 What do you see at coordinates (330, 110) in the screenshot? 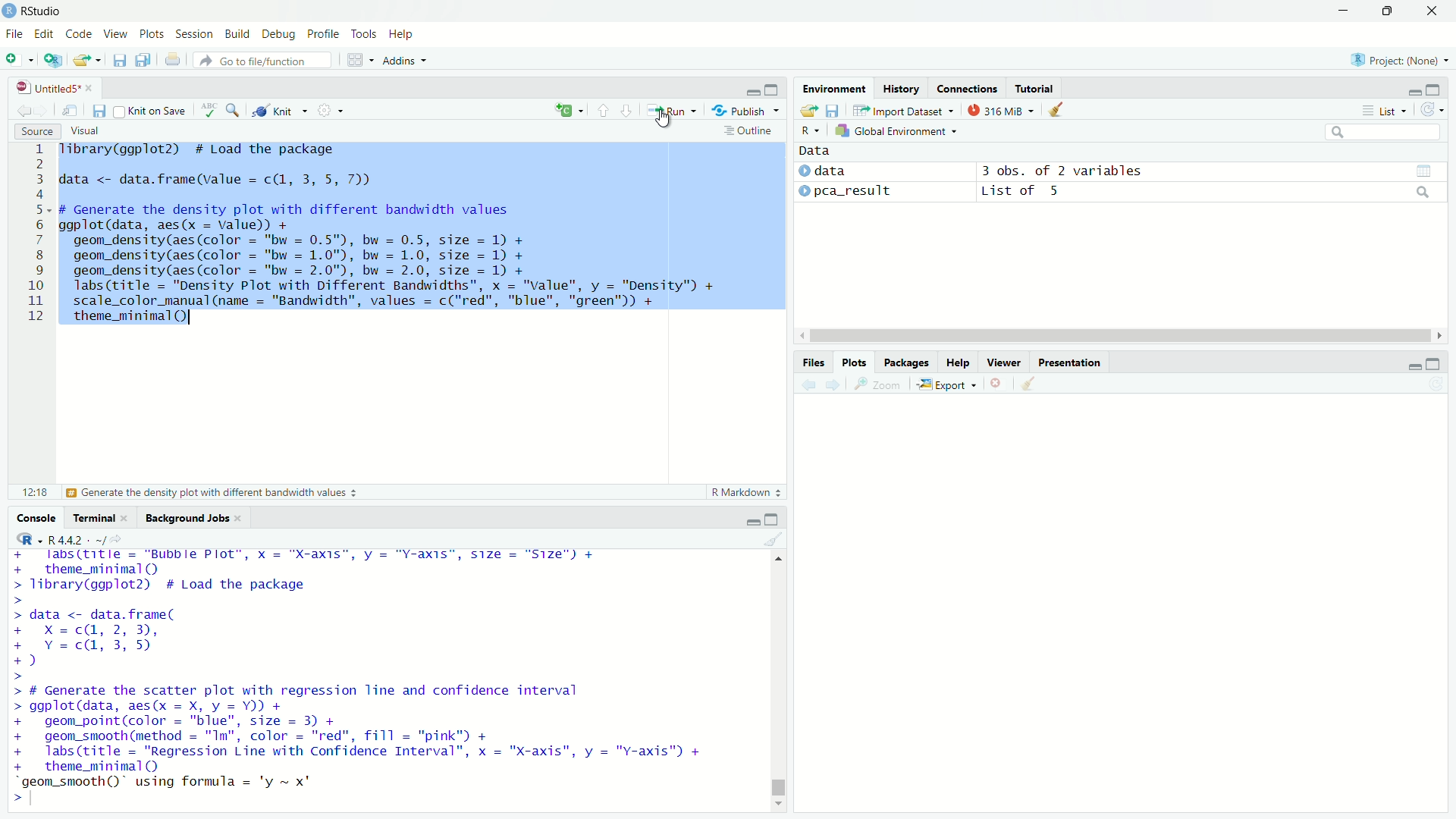
I see `More options` at bounding box center [330, 110].